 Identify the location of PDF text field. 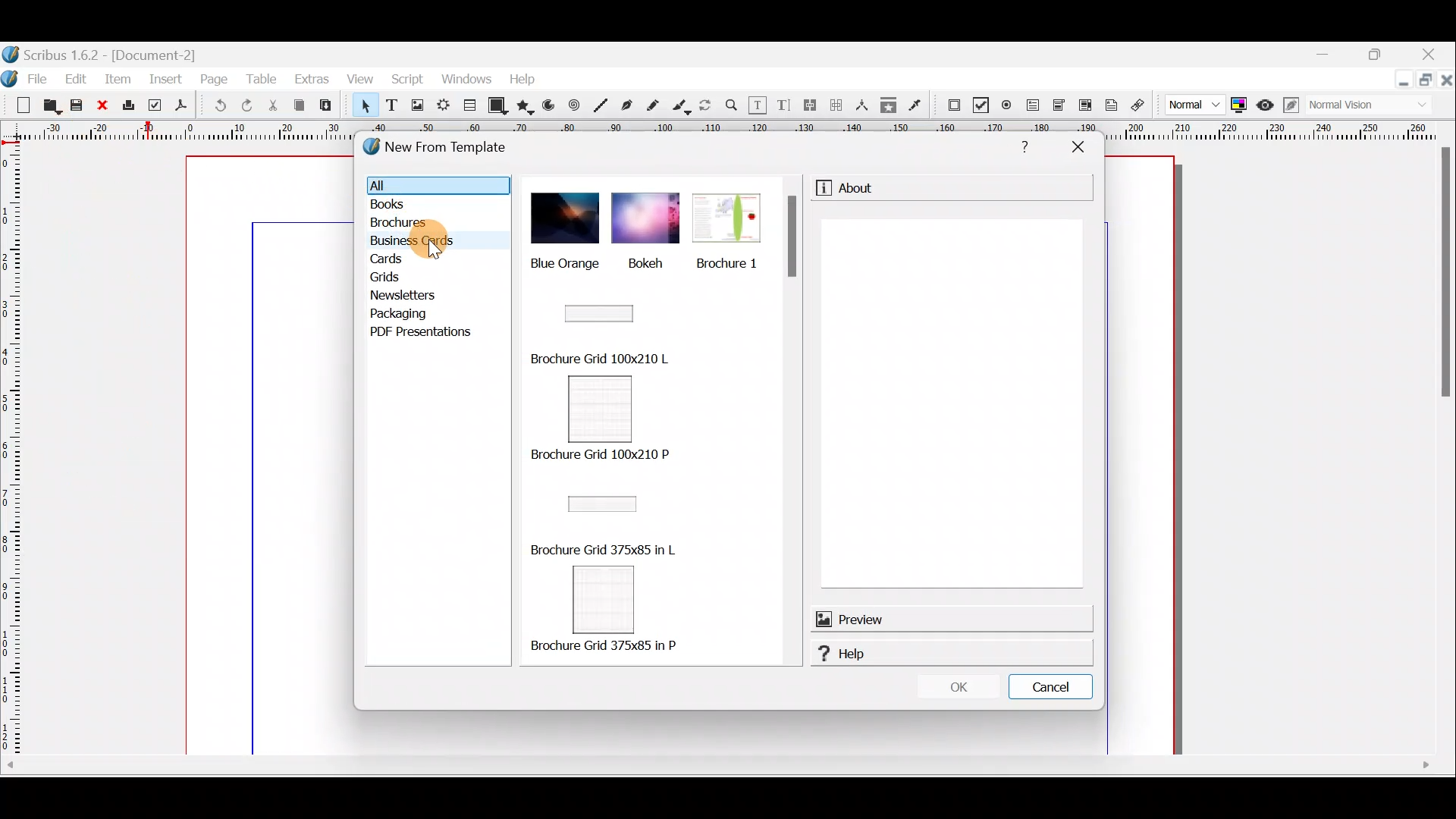
(1034, 107).